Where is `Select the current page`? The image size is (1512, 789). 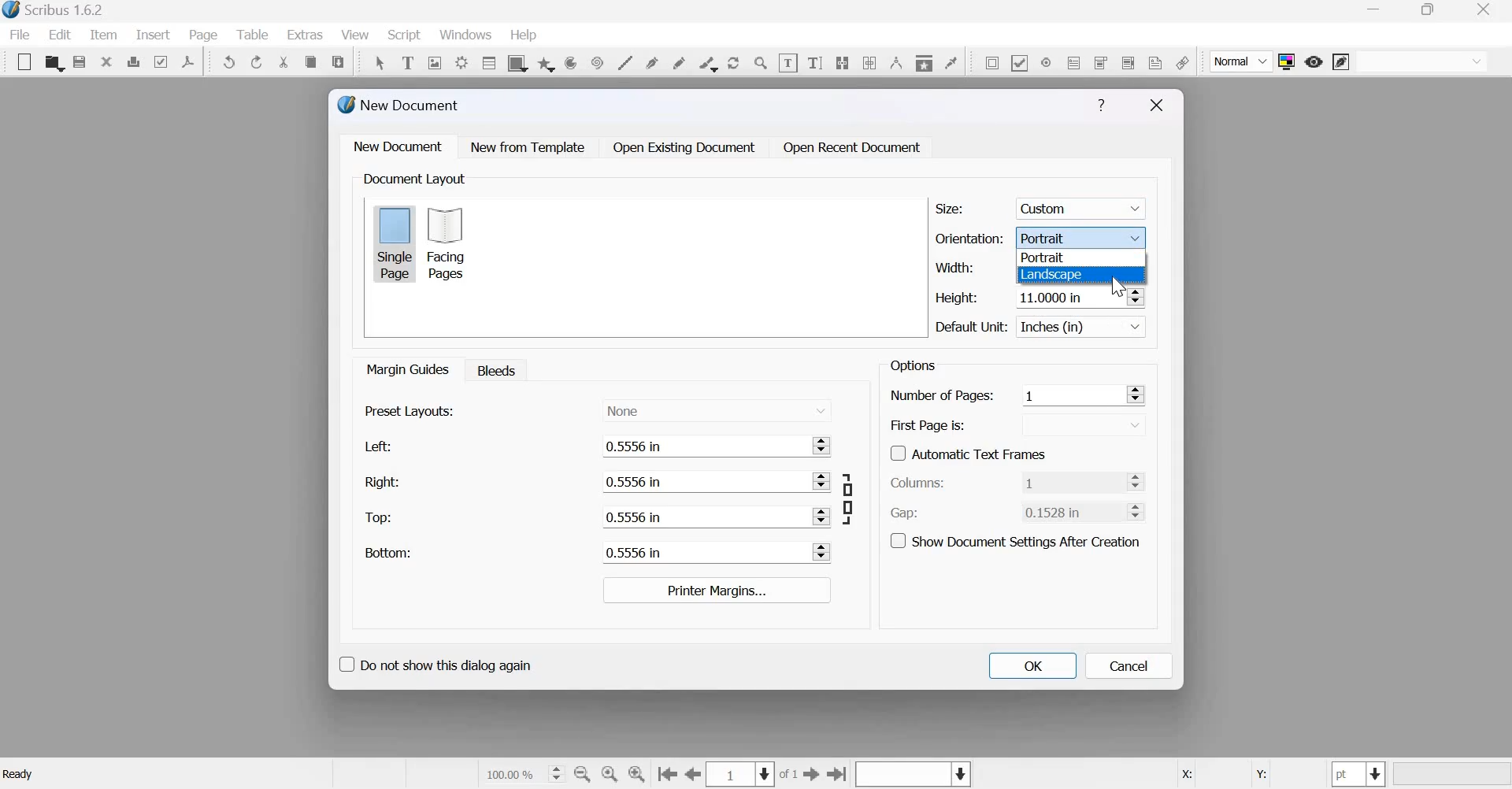
Select the current page is located at coordinates (742, 774).